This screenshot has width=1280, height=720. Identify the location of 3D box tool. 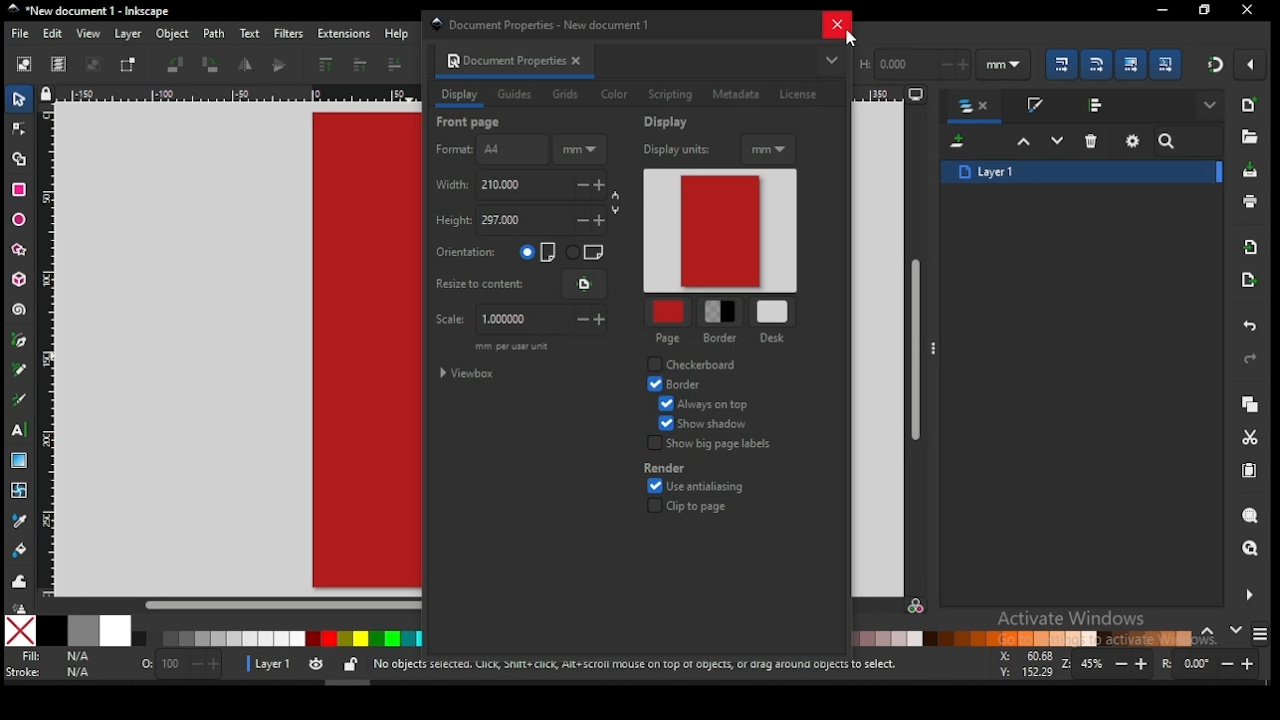
(21, 279).